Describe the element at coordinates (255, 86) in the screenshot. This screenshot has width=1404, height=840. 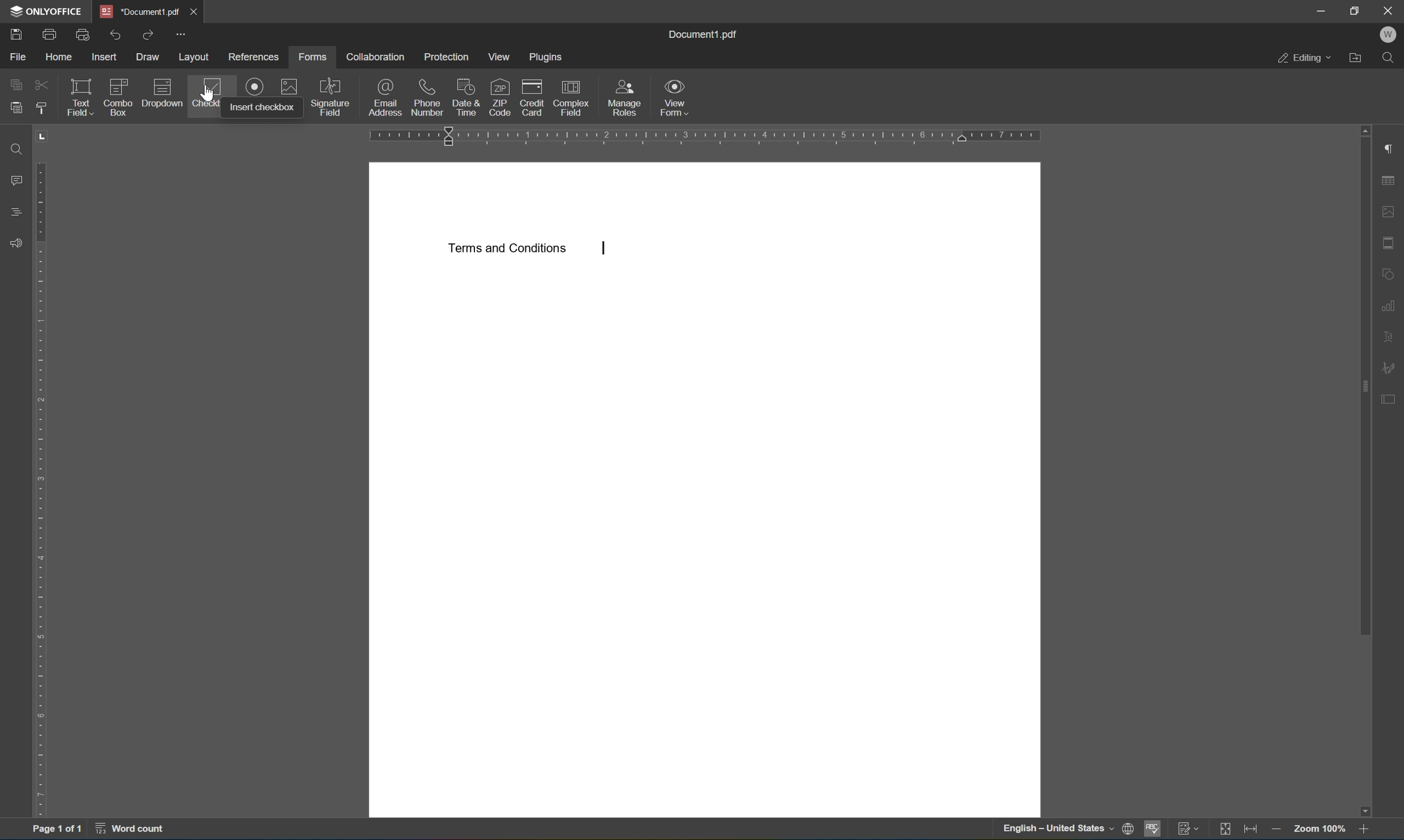
I see `icon` at that location.